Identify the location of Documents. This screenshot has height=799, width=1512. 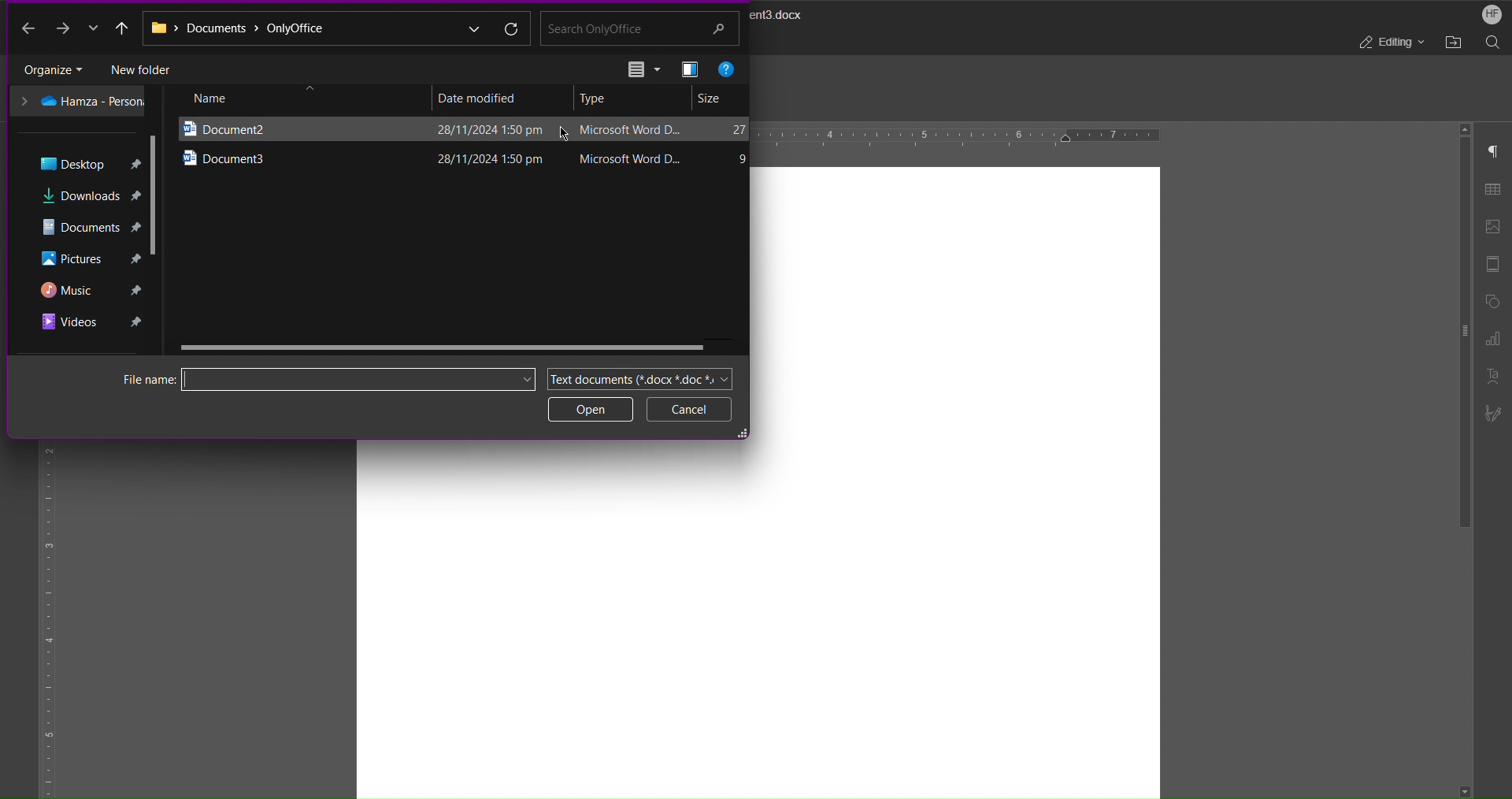
(89, 225).